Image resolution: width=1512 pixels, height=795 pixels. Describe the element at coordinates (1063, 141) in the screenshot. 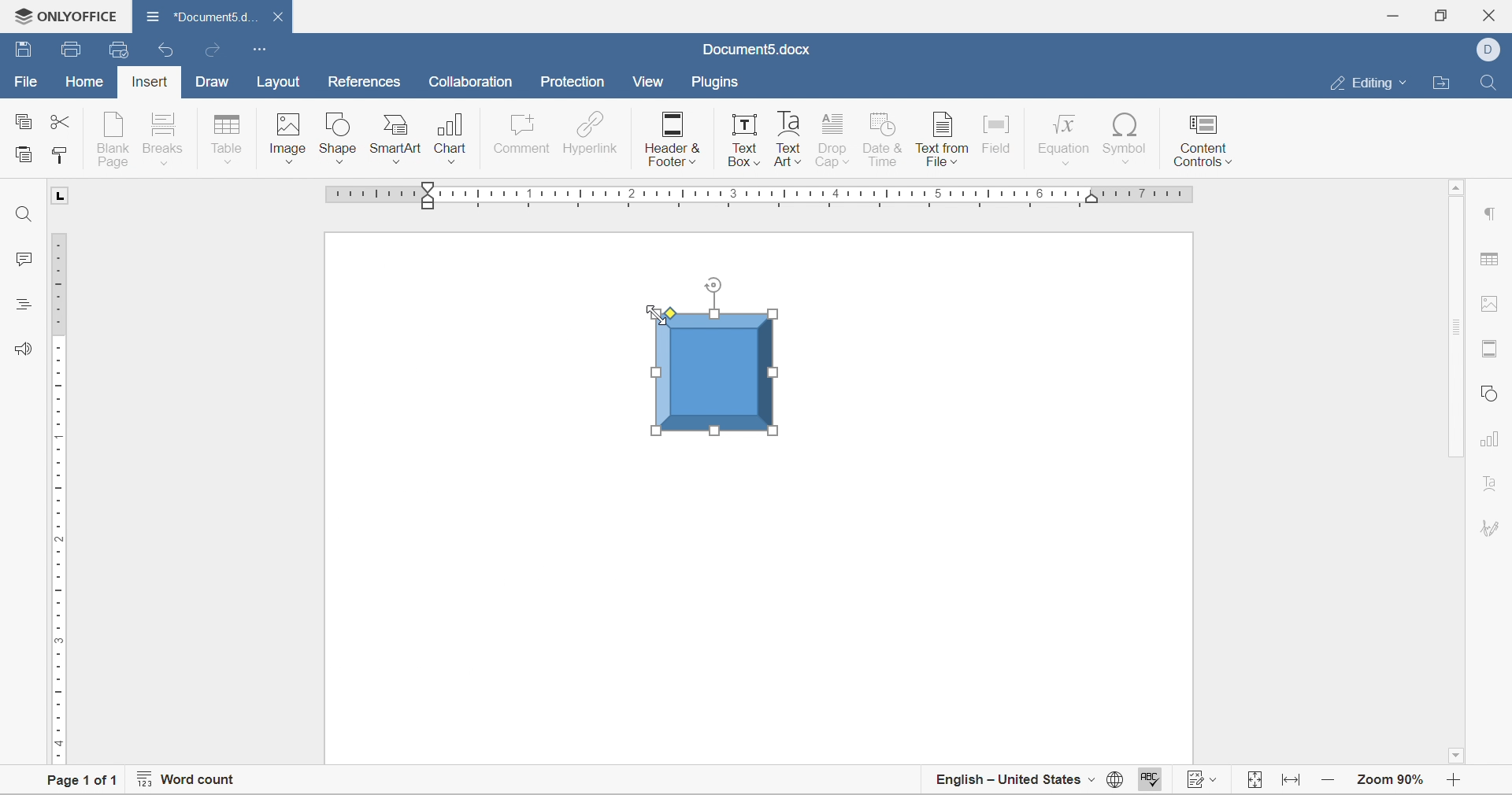

I see `equation` at that location.